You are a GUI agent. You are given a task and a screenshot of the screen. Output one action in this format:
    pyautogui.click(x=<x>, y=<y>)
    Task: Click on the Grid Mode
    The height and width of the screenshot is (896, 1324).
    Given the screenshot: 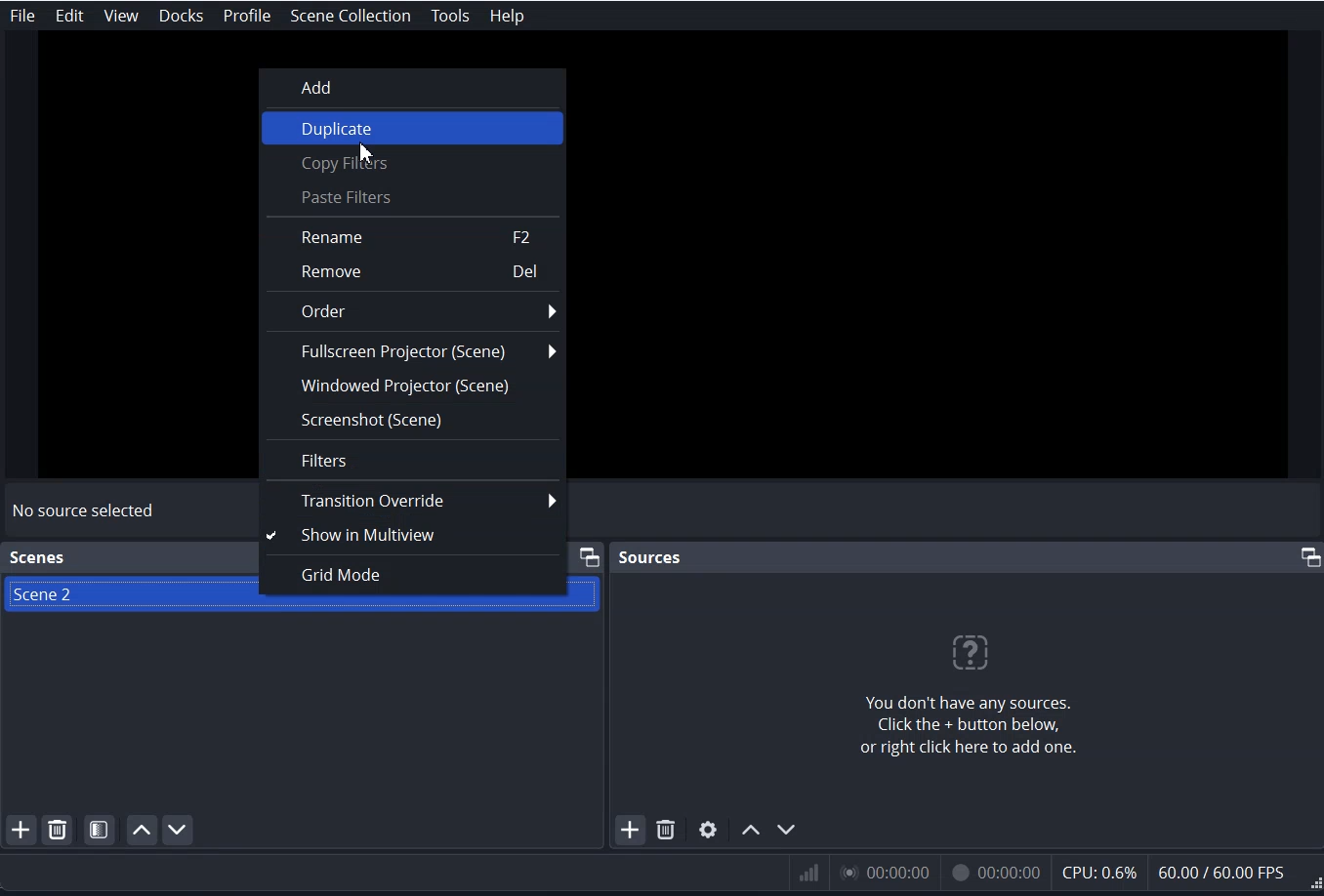 What is the action you would take?
    pyautogui.click(x=414, y=575)
    